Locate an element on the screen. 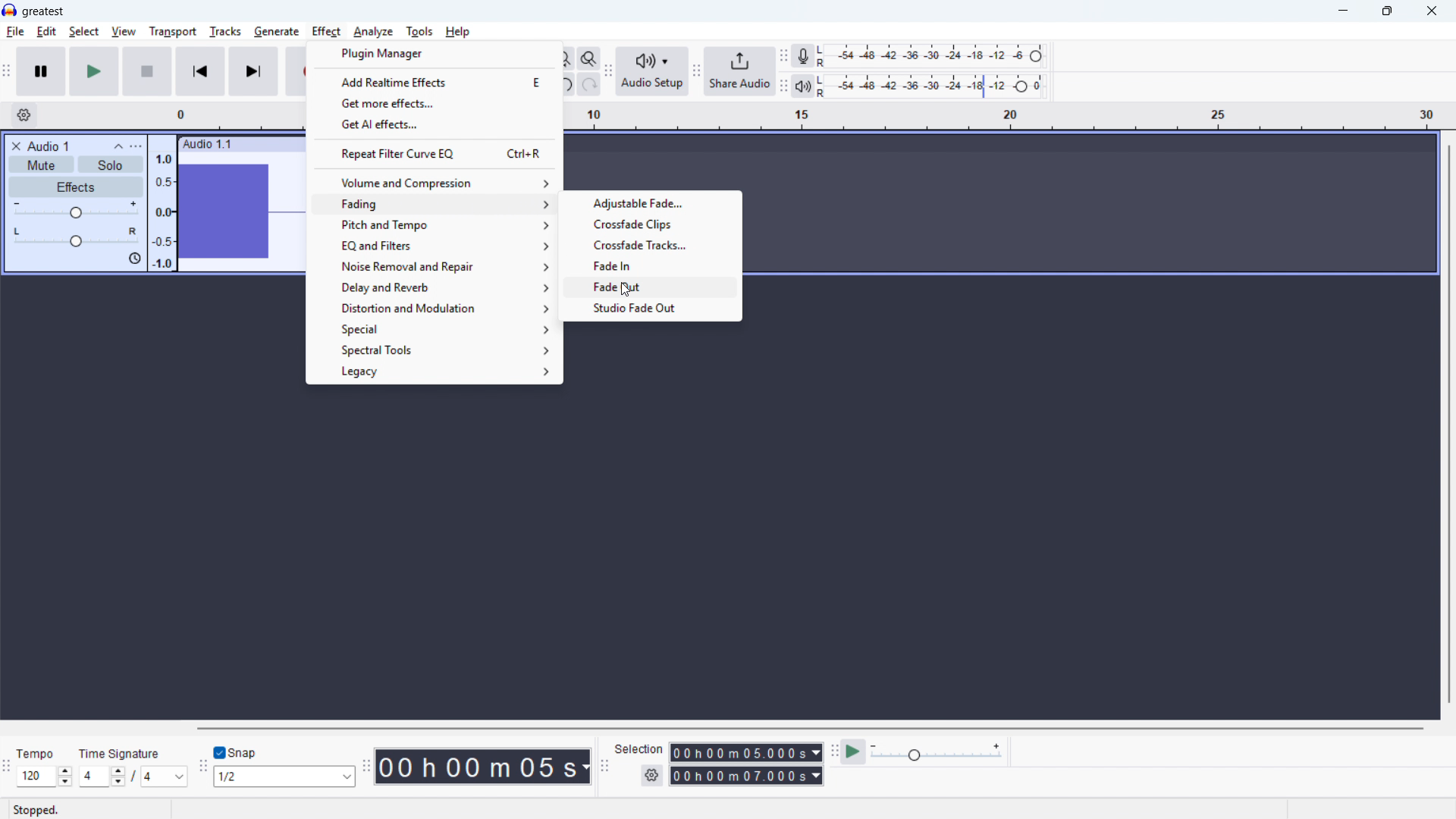 This screenshot has width=1456, height=819. Timestamp  is located at coordinates (485, 767).